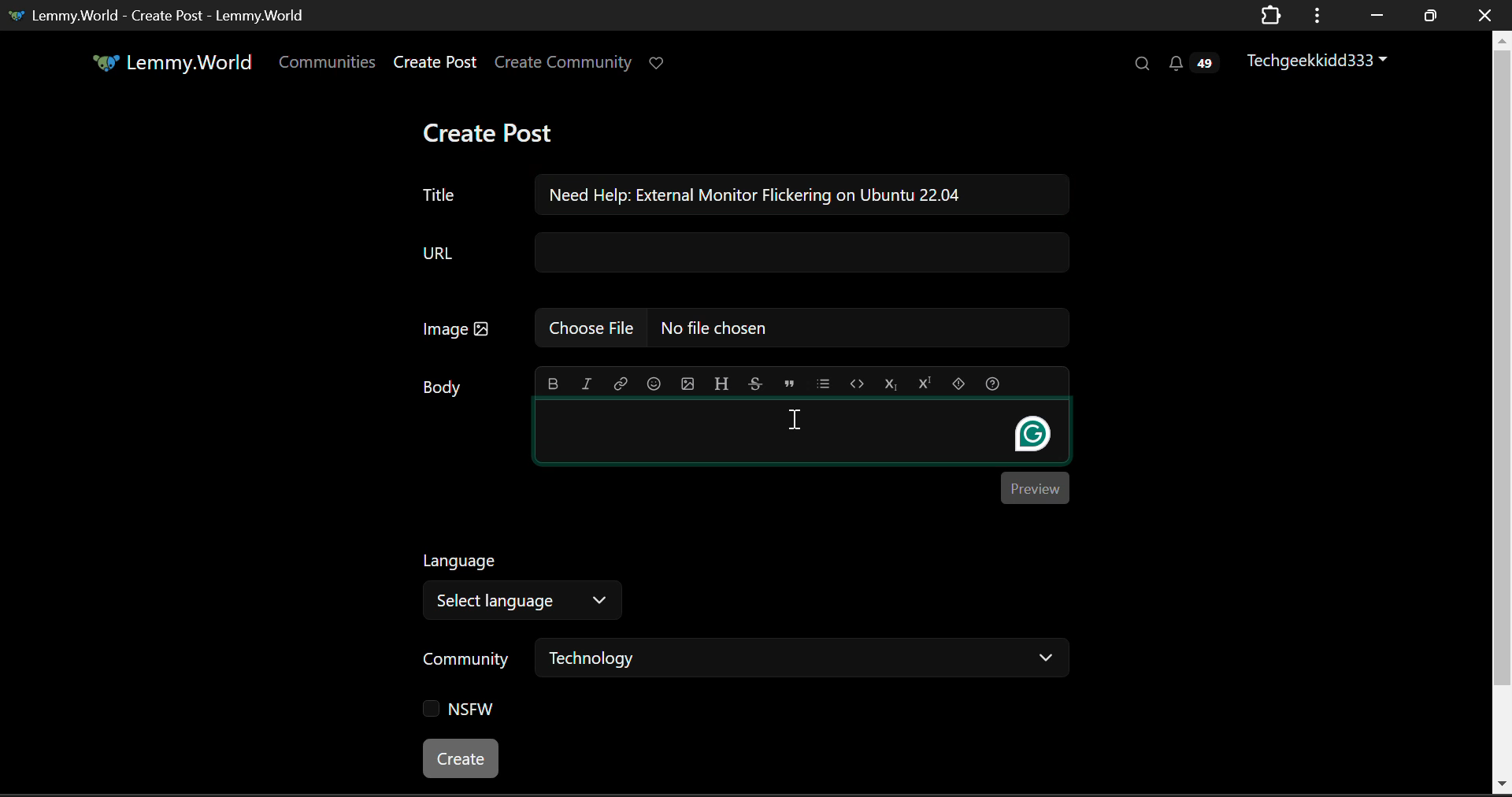 The image size is (1512, 797). Describe the element at coordinates (443, 388) in the screenshot. I see `Body` at that location.